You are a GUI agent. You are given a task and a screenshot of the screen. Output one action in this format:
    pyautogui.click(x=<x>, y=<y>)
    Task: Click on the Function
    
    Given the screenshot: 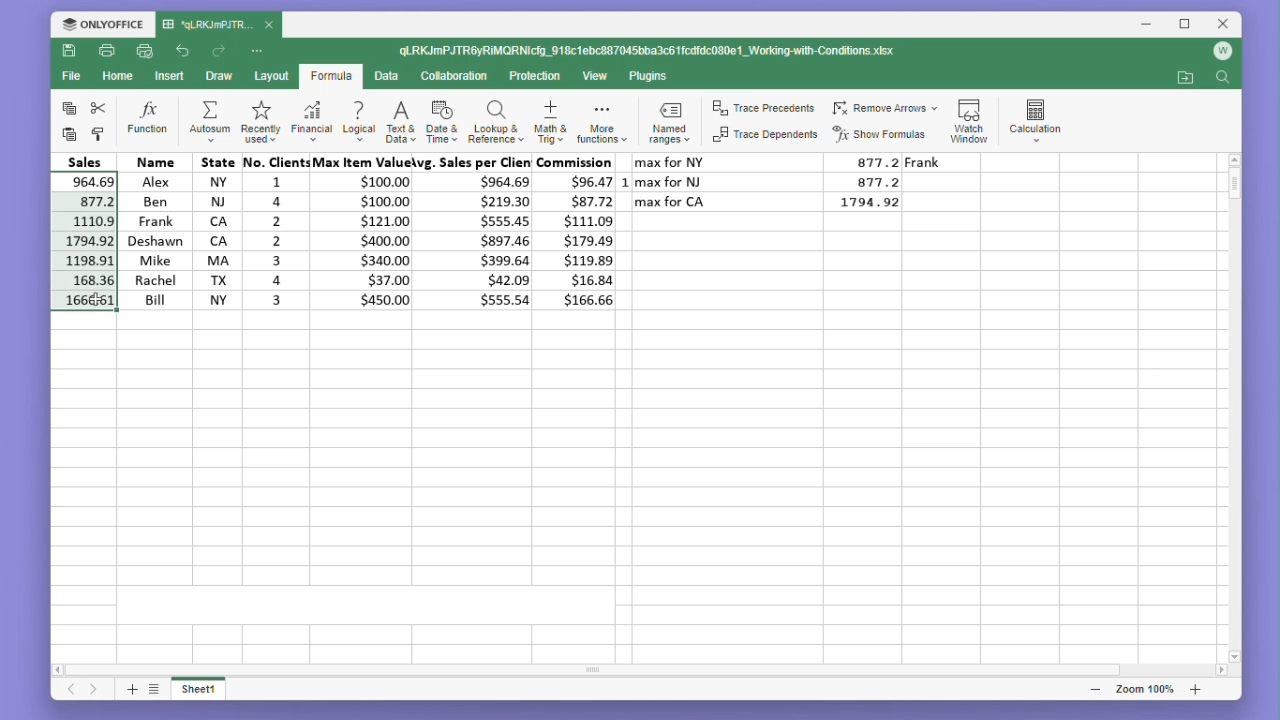 What is the action you would take?
    pyautogui.click(x=149, y=119)
    